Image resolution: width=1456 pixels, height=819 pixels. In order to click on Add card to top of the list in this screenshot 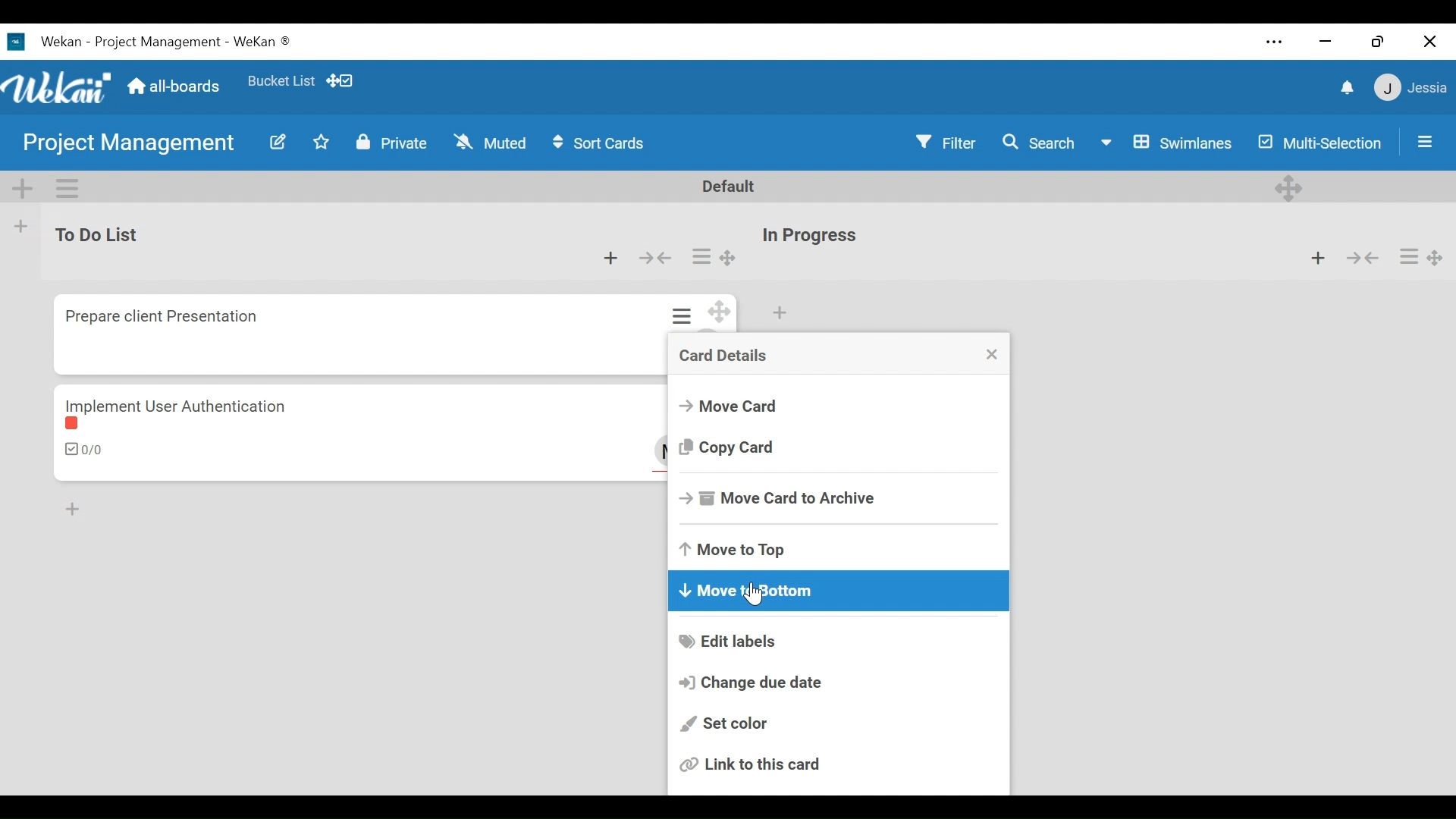, I will do `click(780, 312)`.